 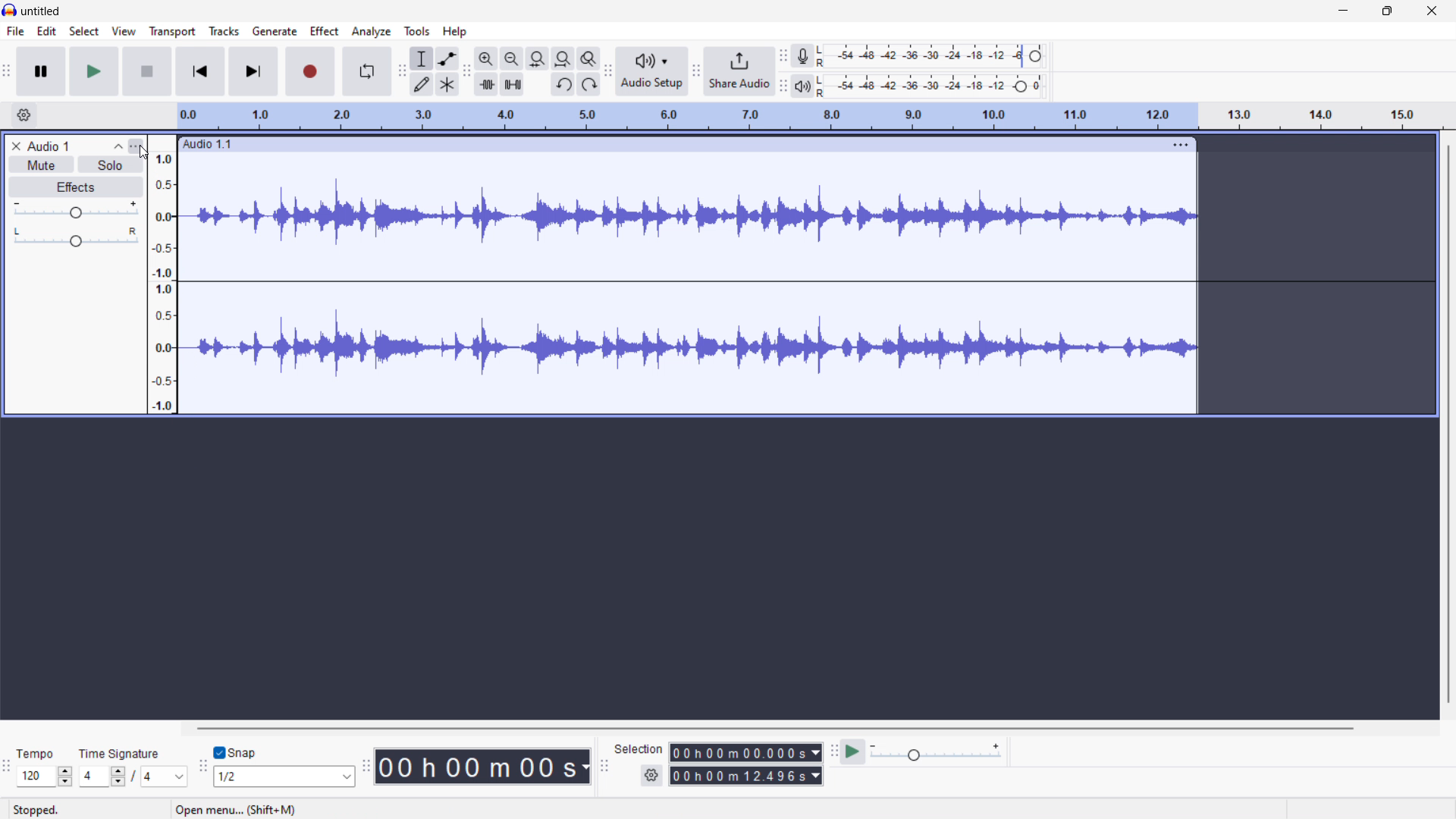 What do you see at coordinates (589, 58) in the screenshot?
I see `toggle zoom` at bounding box center [589, 58].